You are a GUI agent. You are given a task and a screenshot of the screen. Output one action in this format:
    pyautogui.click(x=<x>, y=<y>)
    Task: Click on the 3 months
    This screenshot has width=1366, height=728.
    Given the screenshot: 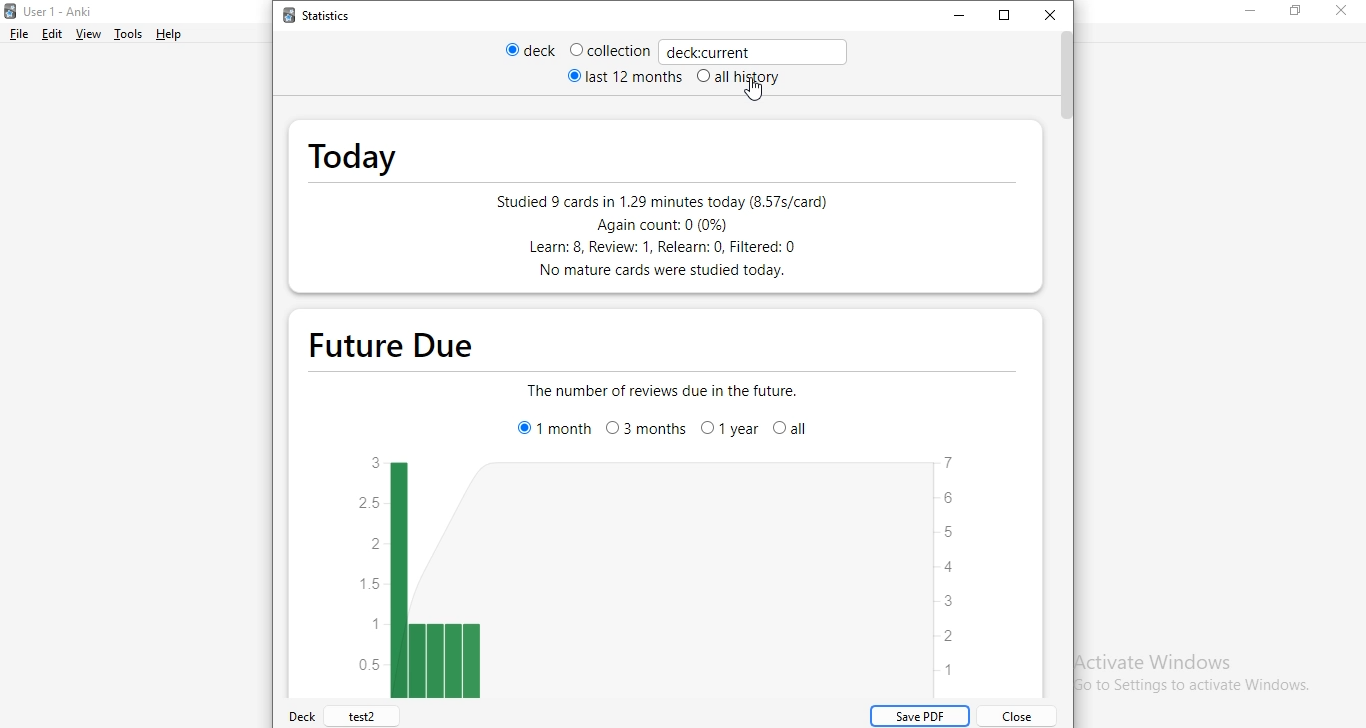 What is the action you would take?
    pyautogui.click(x=647, y=433)
    